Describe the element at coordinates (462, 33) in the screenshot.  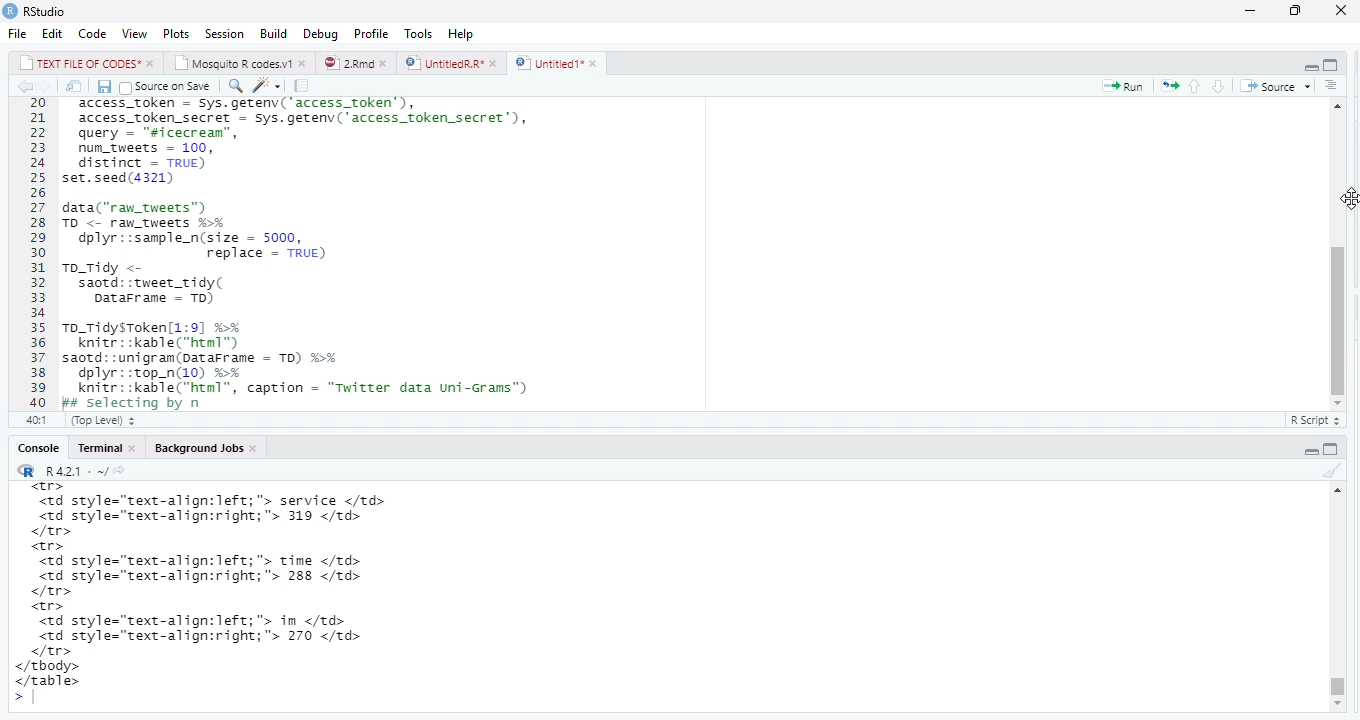
I see `Help` at that location.